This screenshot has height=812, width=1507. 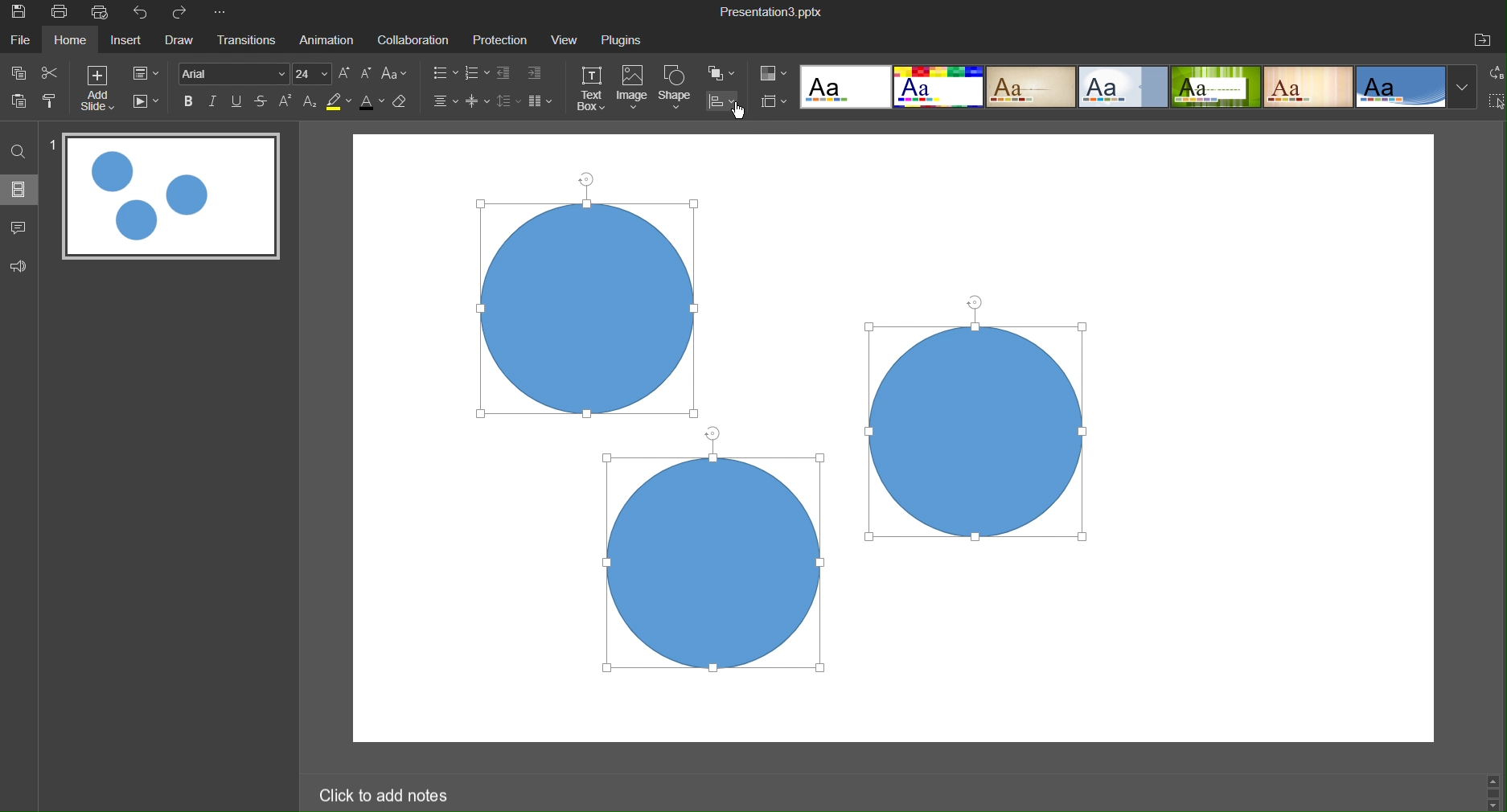 What do you see at coordinates (456, 74) in the screenshot?
I see `Lists` at bounding box center [456, 74].